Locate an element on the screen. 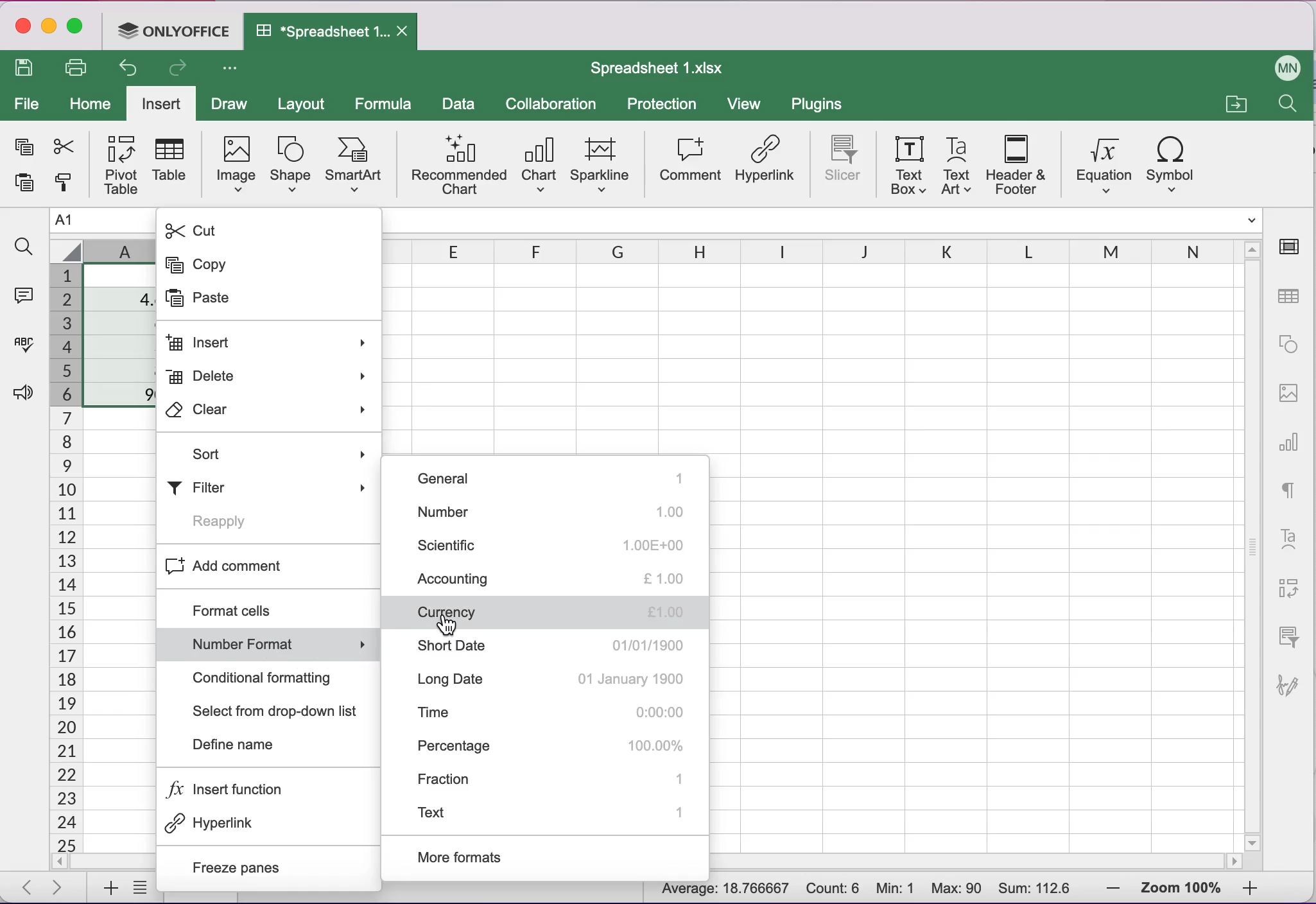 This screenshot has height=904, width=1316. feedback and support is located at coordinates (22, 391).